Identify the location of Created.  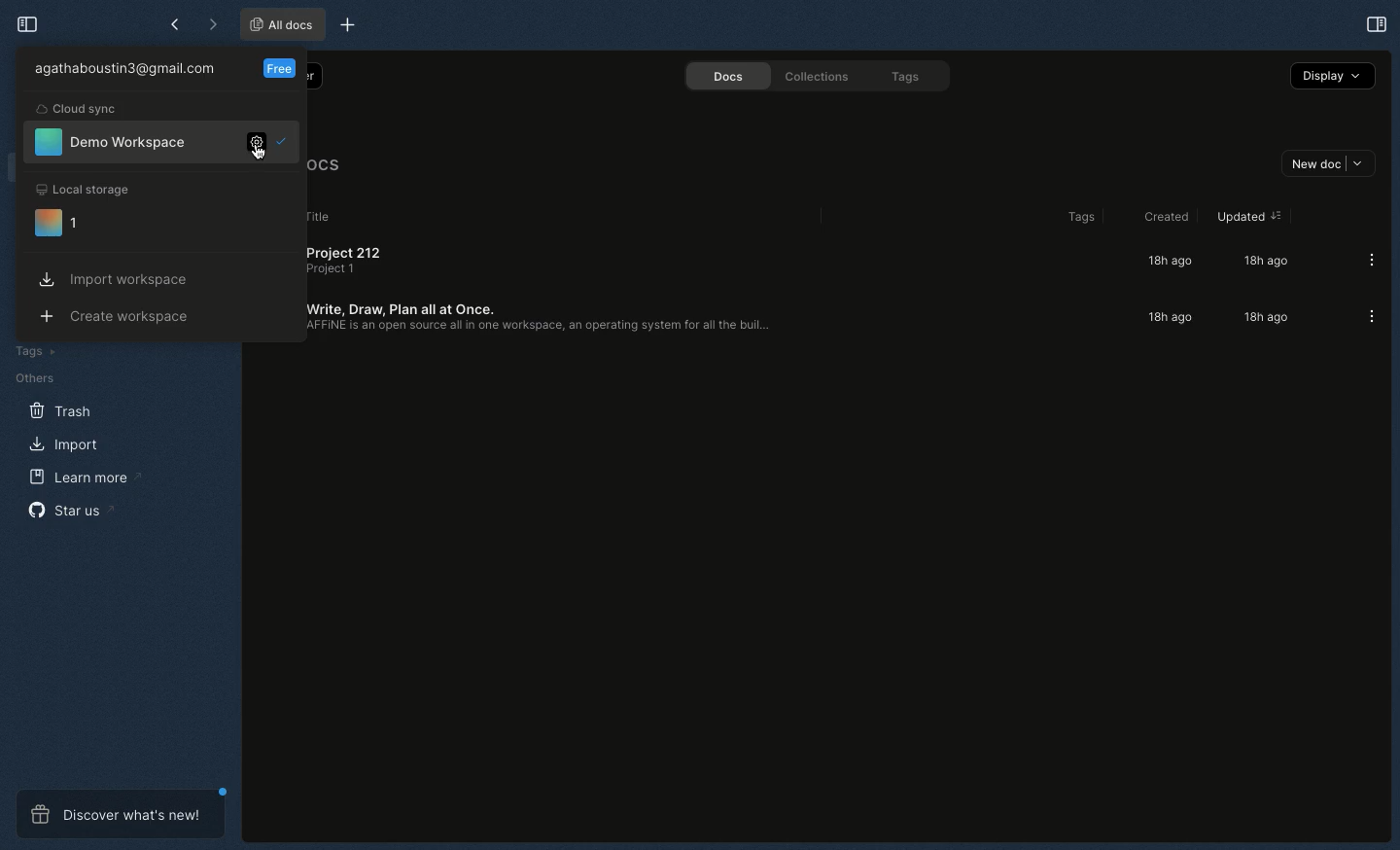
(1162, 217).